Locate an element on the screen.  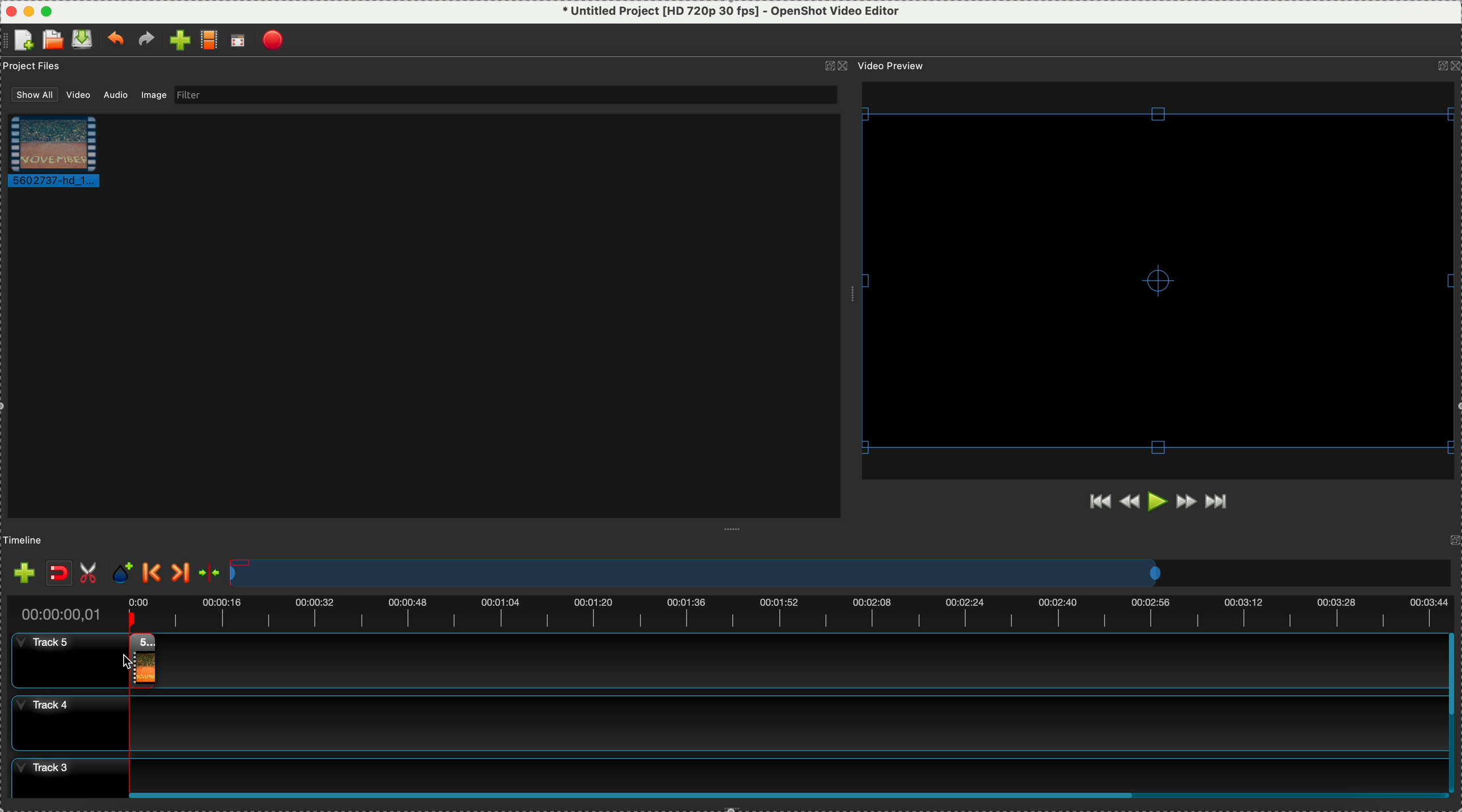
previous marker is located at coordinates (152, 573).